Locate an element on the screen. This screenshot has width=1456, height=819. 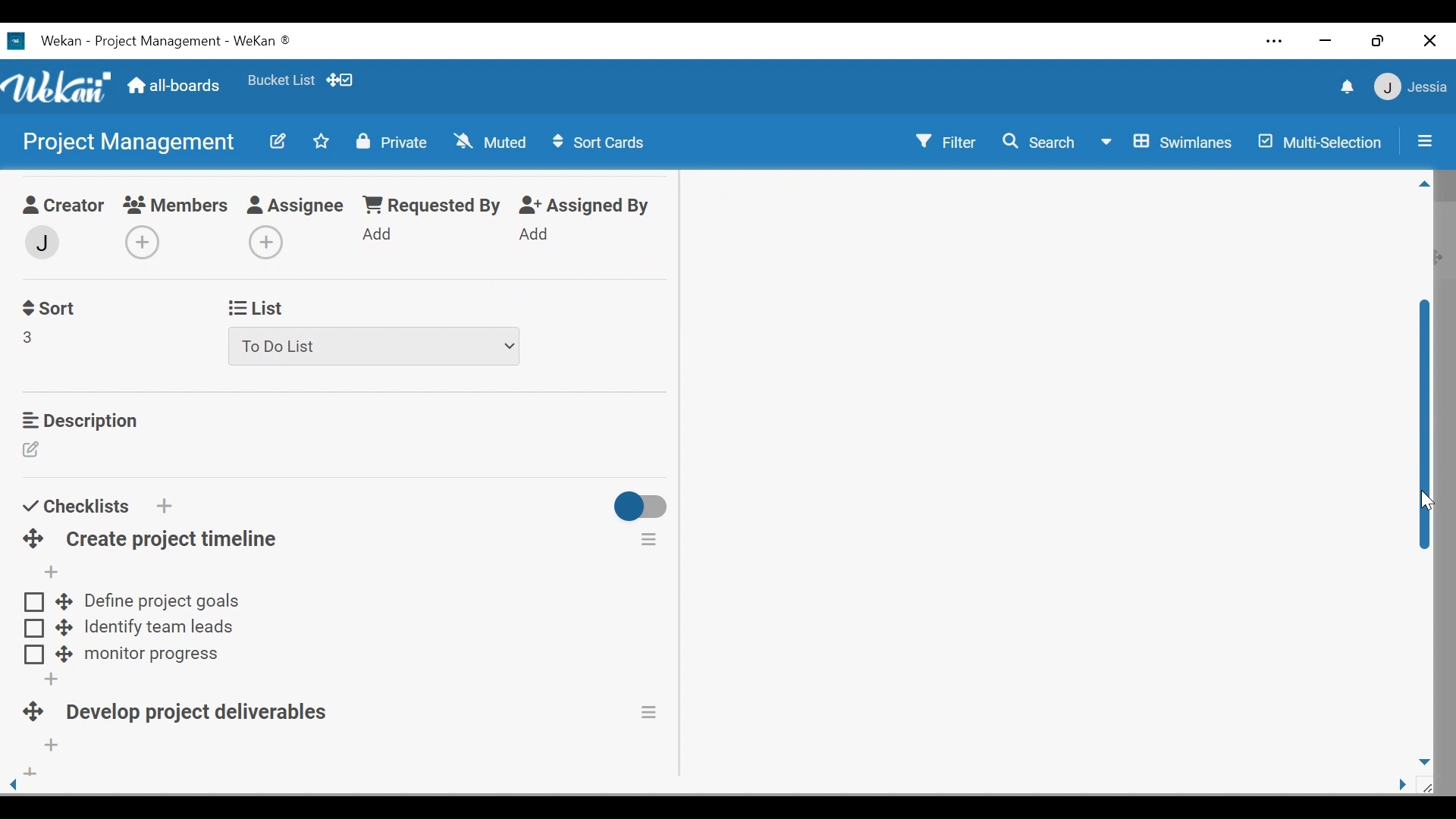
List is located at coordinates (253, 309).